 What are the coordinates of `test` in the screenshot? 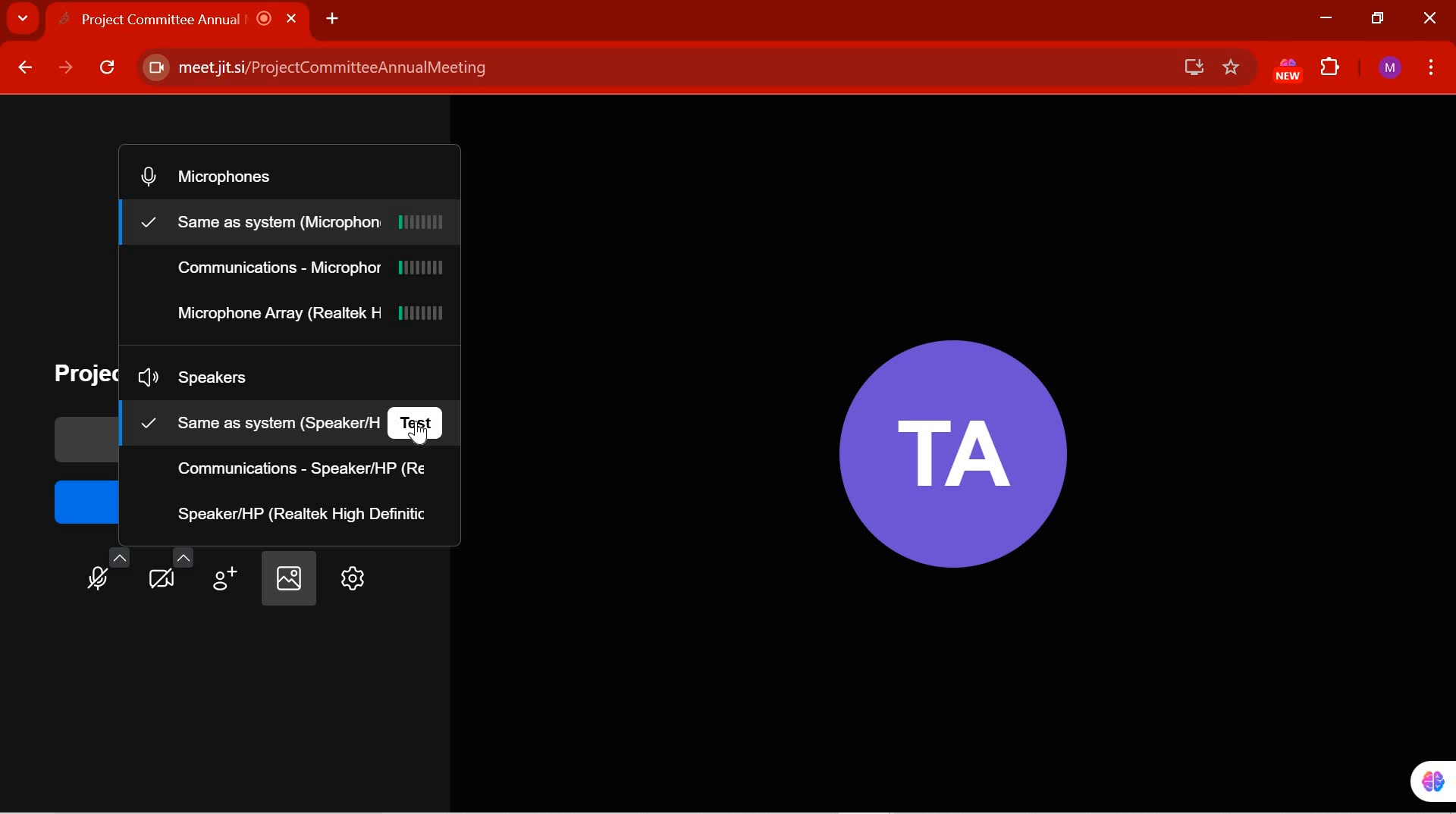 It's located at (419, 421).